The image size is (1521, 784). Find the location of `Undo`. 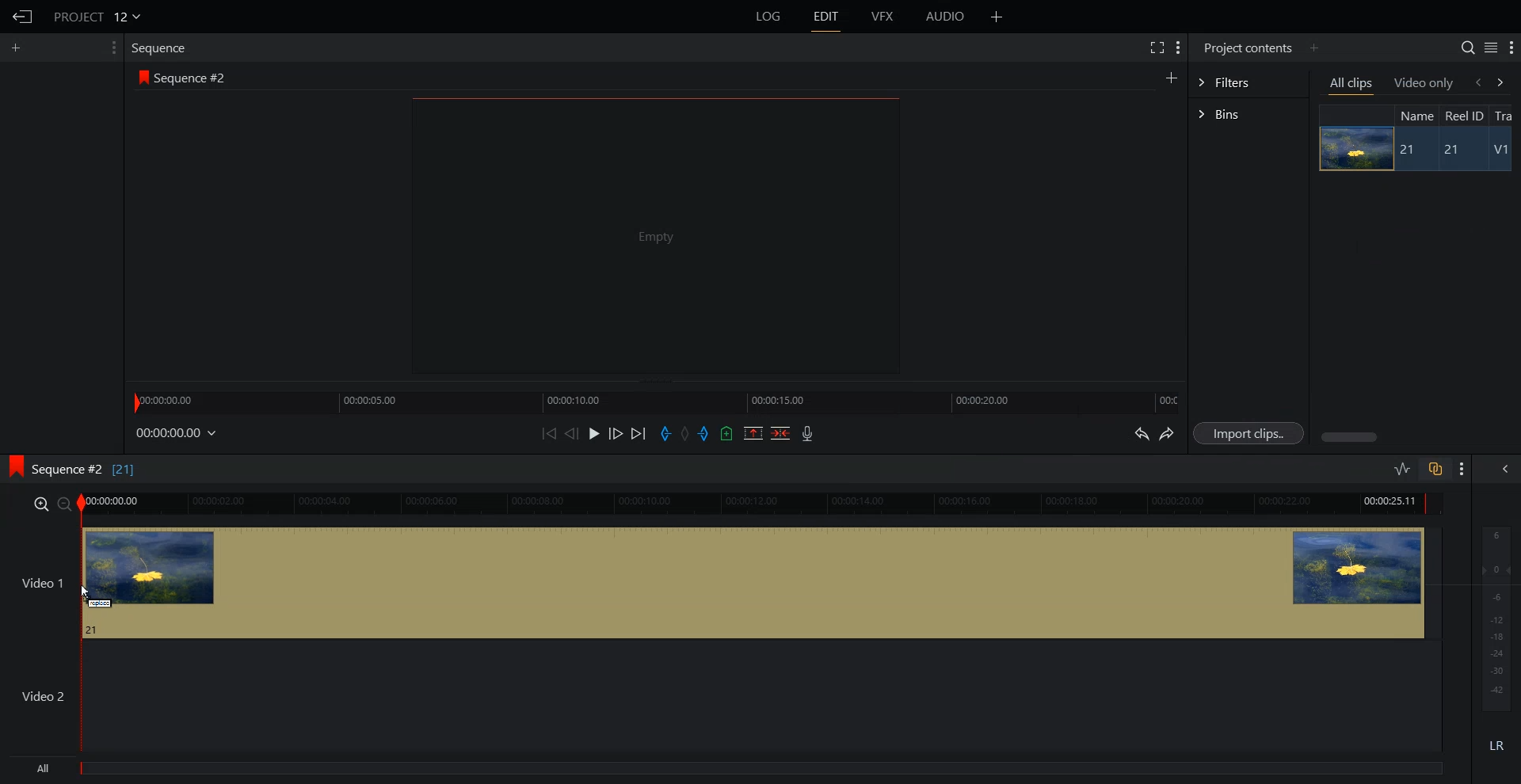

Undo is located at coordinates (1140, 432).